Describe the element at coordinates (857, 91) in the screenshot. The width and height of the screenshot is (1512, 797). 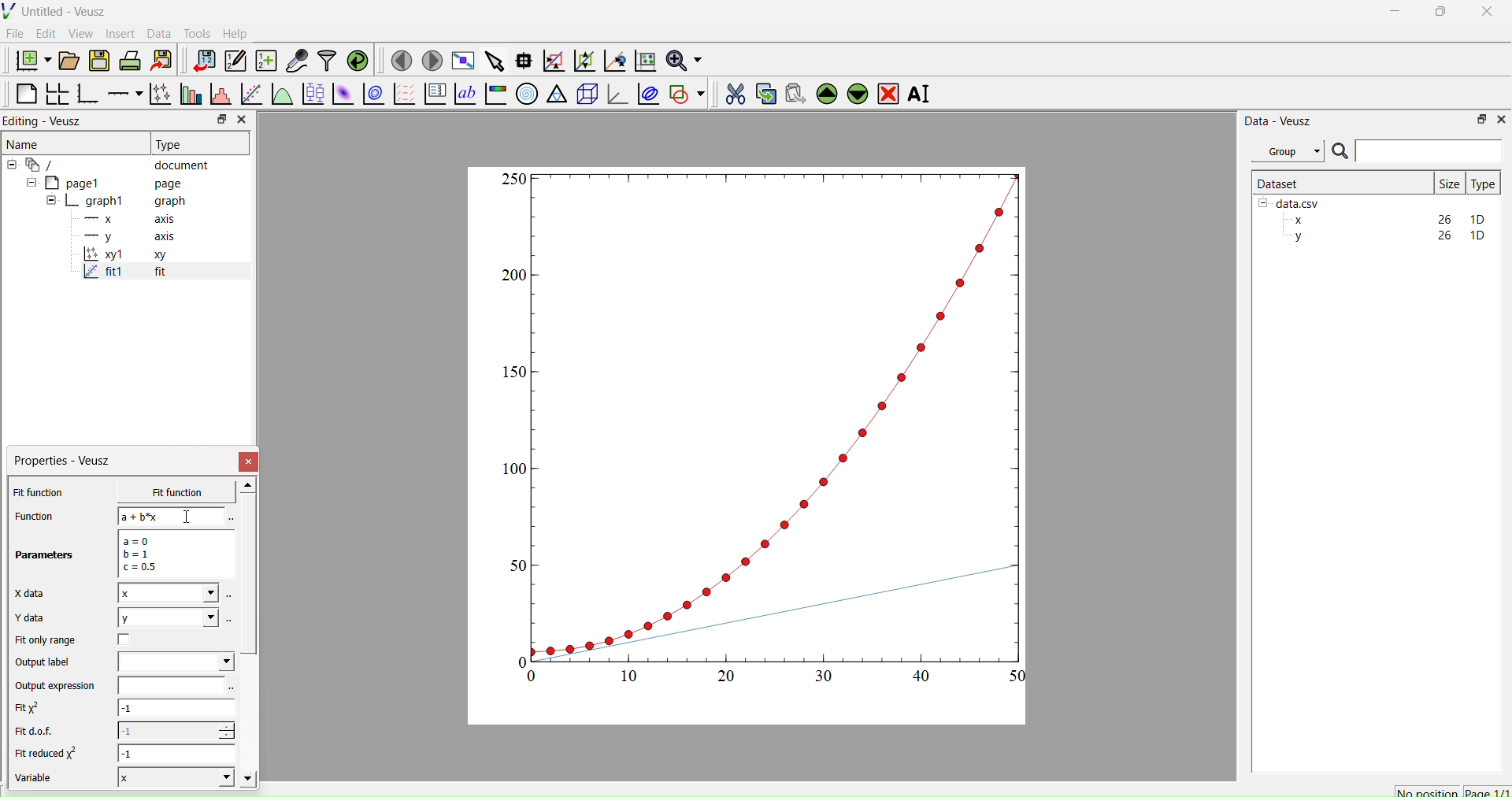
I see `Down` at that location.